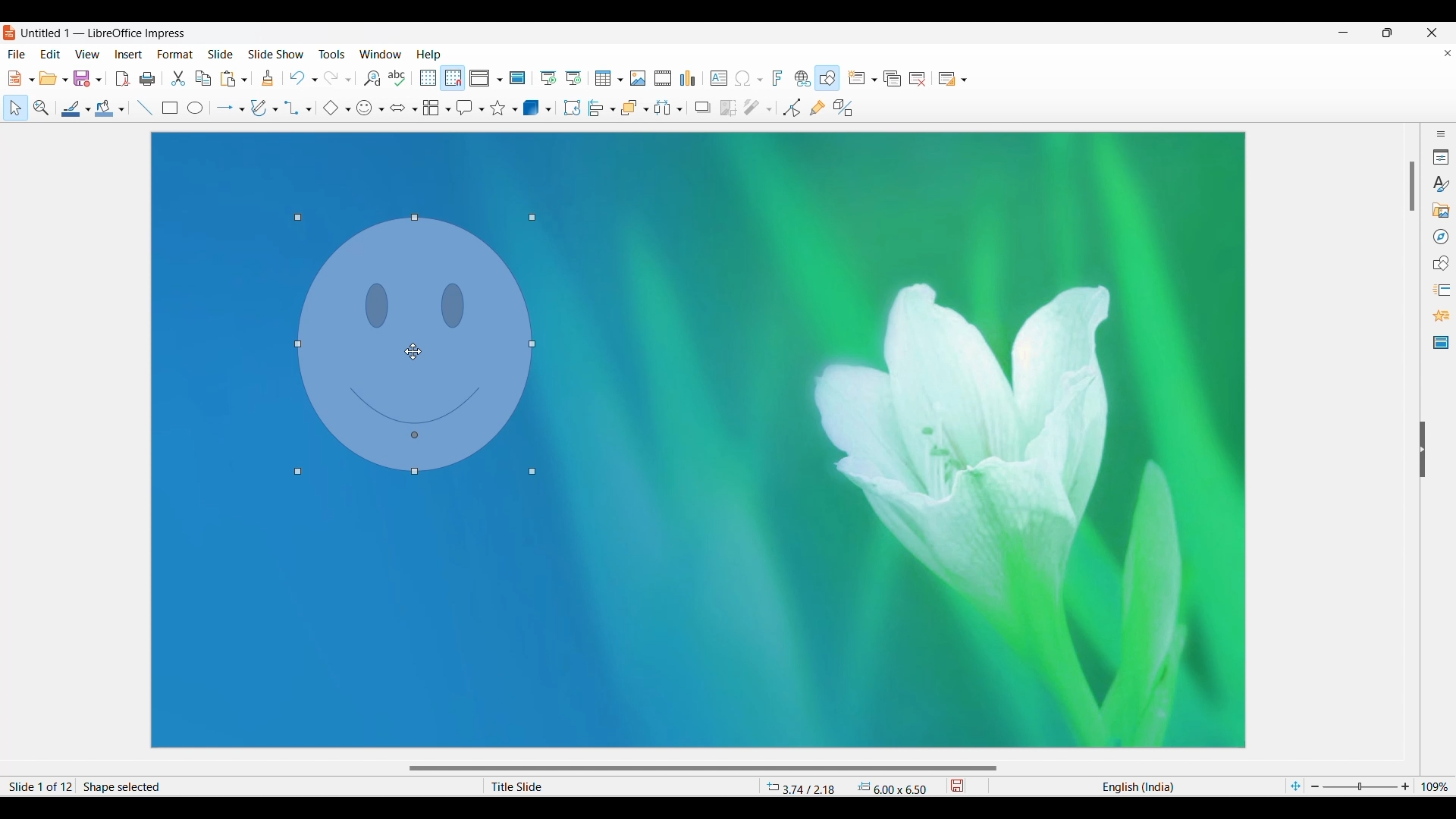 This screenshot has height=819, width=1456. What do you see at coordinates (688, 78) in the screenshot?
I see `Insert chart` at bounding box center [688, 78].